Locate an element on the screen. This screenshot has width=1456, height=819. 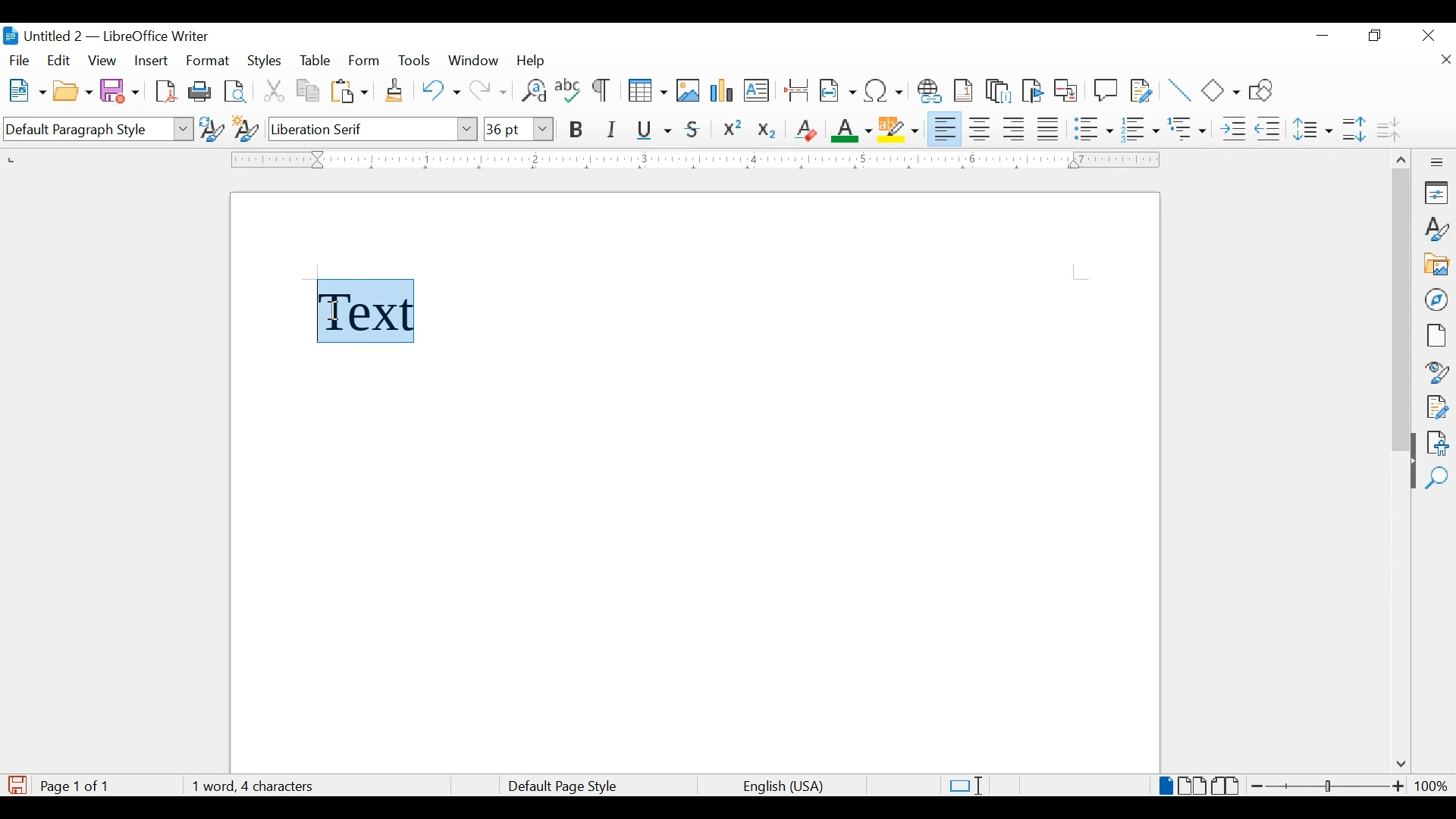
help is located at coordinates (534, 61).